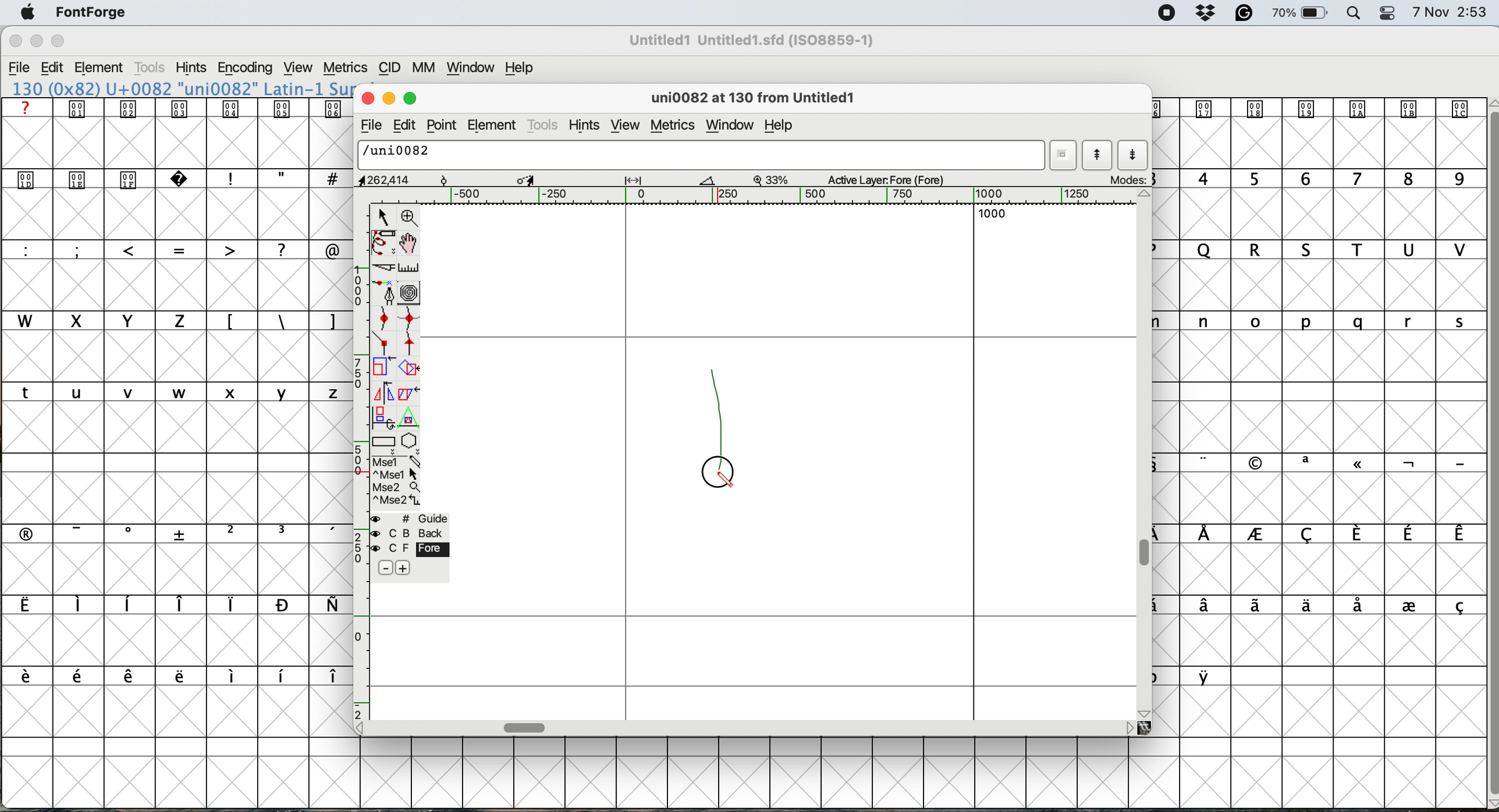 Image resolution: width=1499 pixels, height=812 pixels. What do you see at coordinates (730, 123) in the screenshot?
I see `window` at bounding box center [730, 123].